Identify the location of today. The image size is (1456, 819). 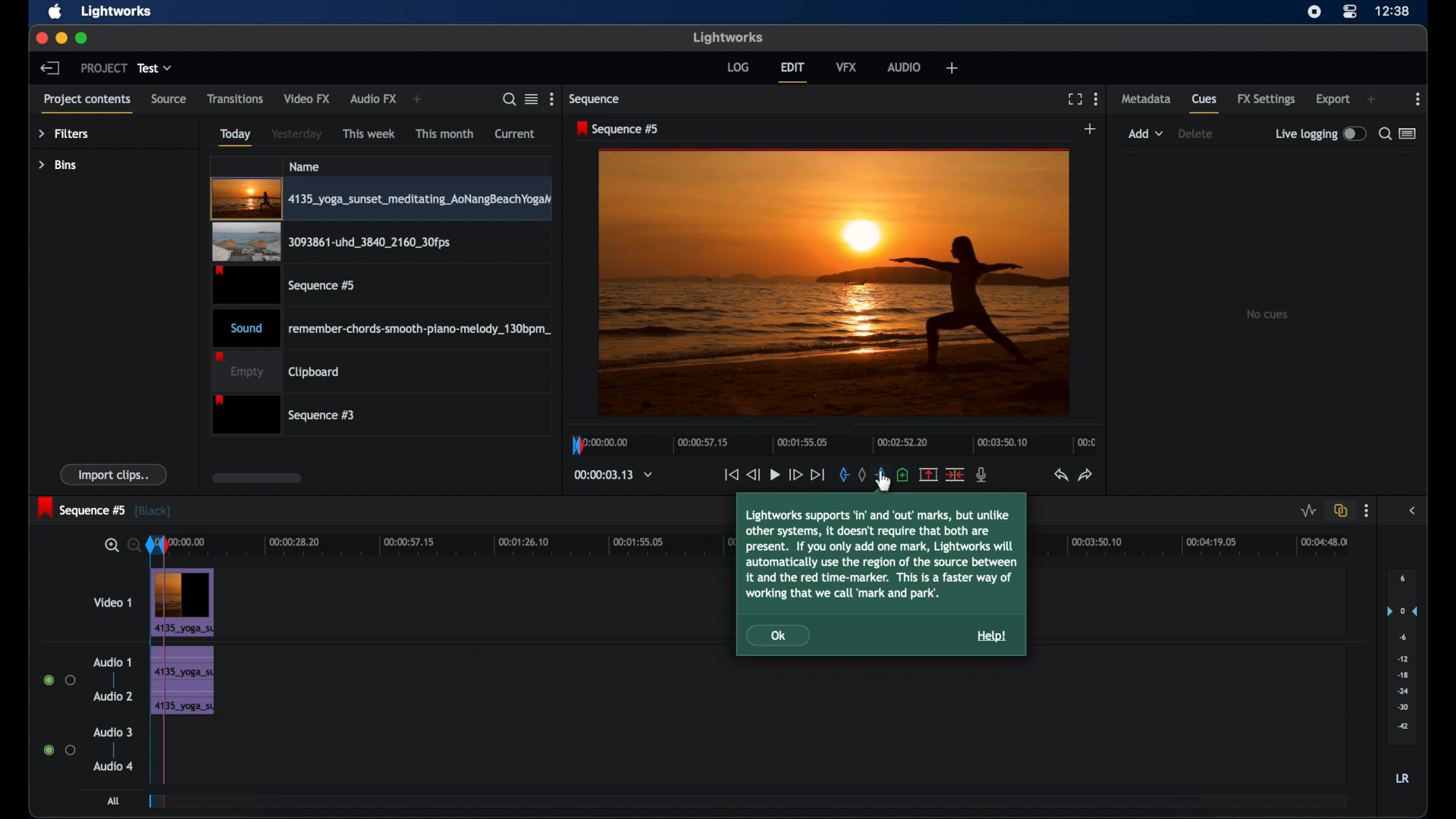
(236, 137).